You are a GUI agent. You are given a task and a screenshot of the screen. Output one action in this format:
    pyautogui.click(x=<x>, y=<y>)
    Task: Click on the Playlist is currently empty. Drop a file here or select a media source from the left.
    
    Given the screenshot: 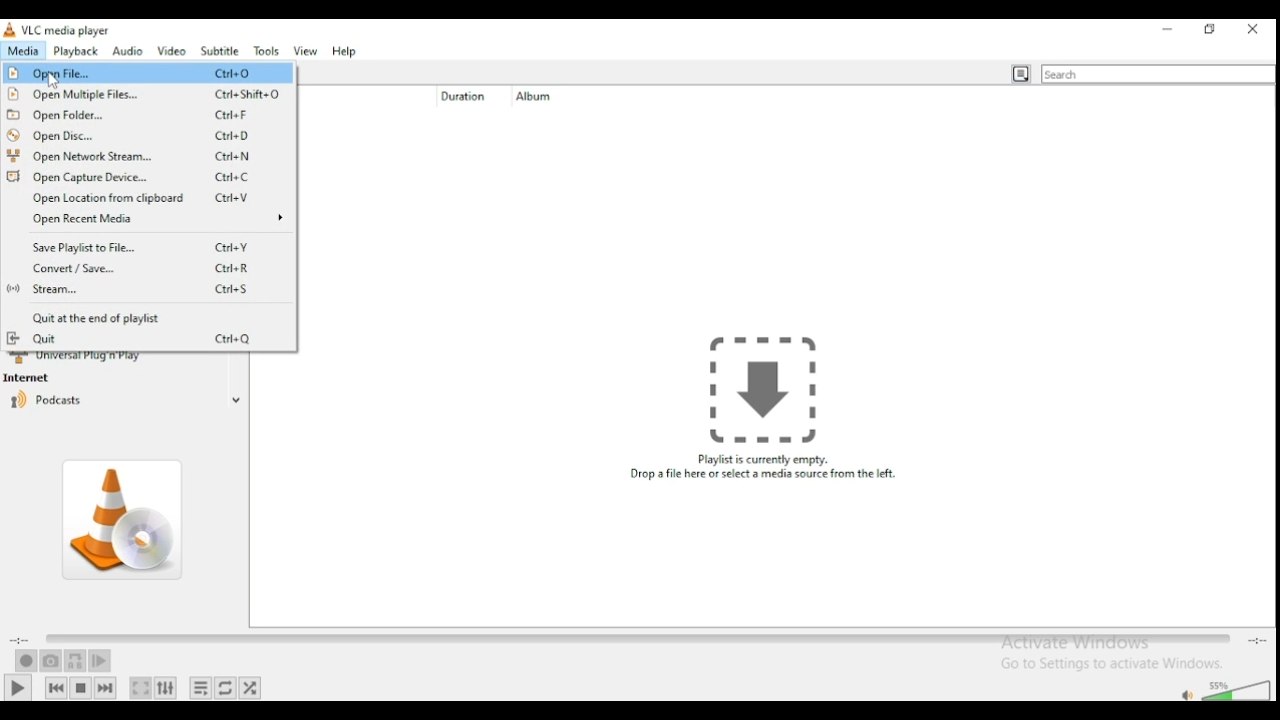 What is the action you would take?
    pyautogui.click(x=752, y=409)
    